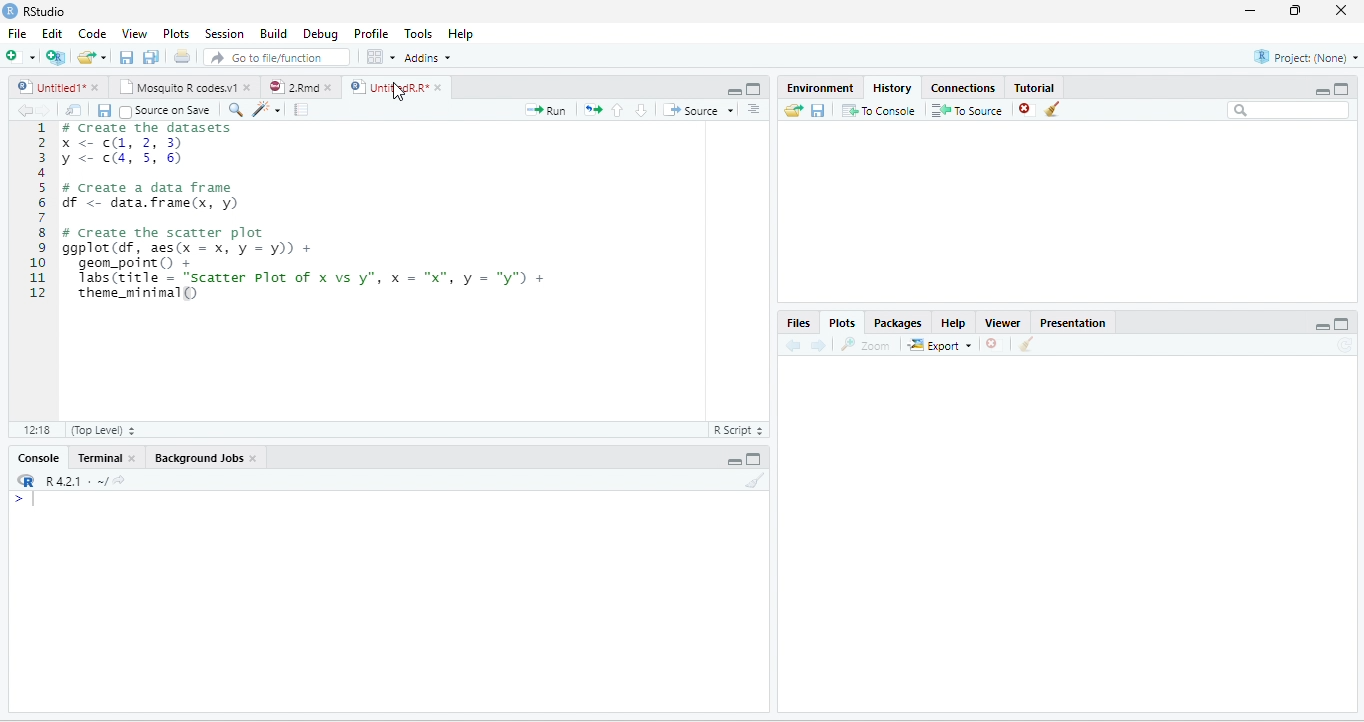 This screenshot has height=722, width=1364. I want to click on close, so click(438, 87).